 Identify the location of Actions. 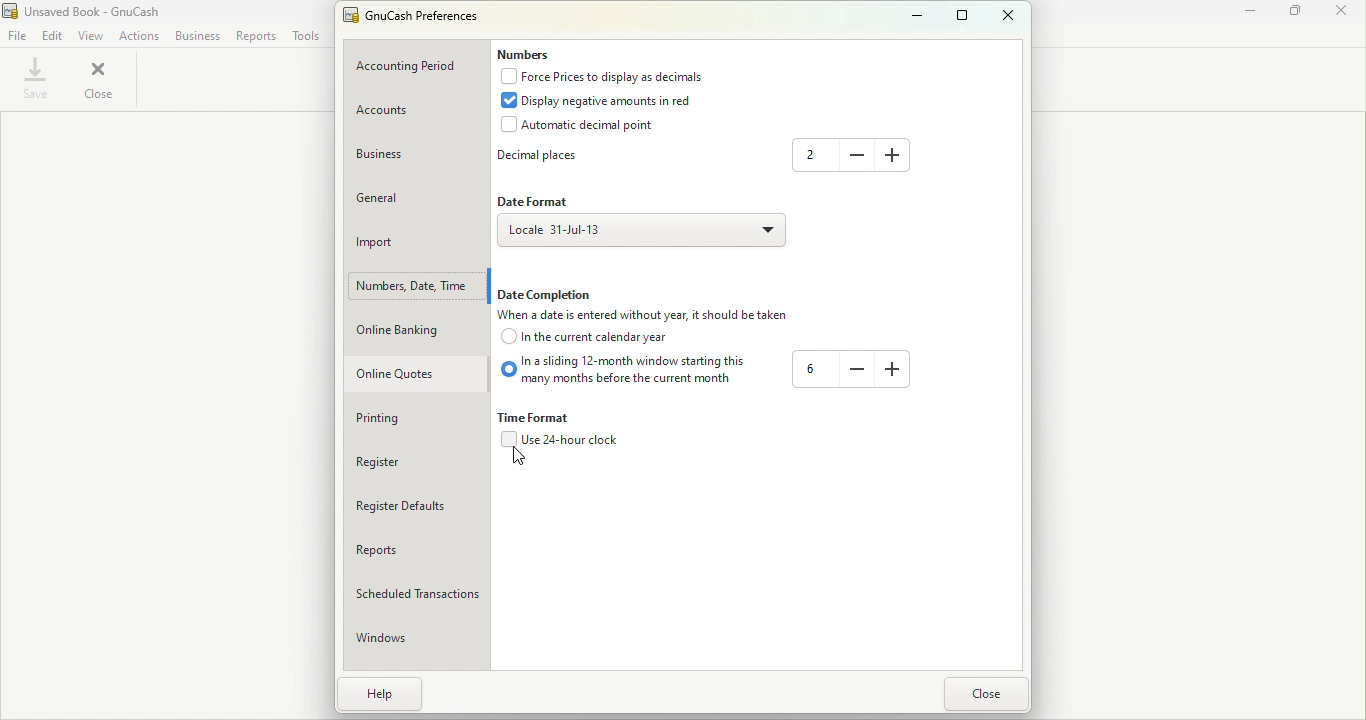
(137, 35).